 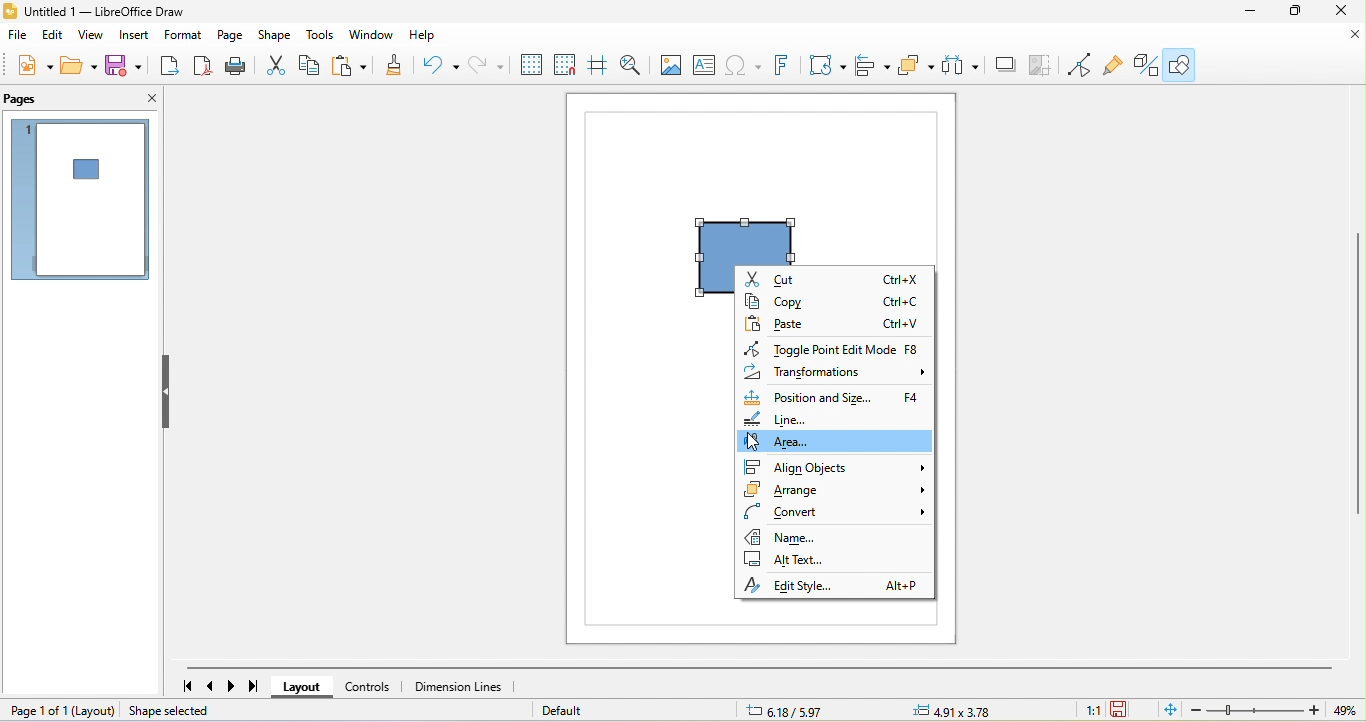 What do you see at coordinates (185, 36) in the screenshot?
I see `format` at bounding box center [185, 36].